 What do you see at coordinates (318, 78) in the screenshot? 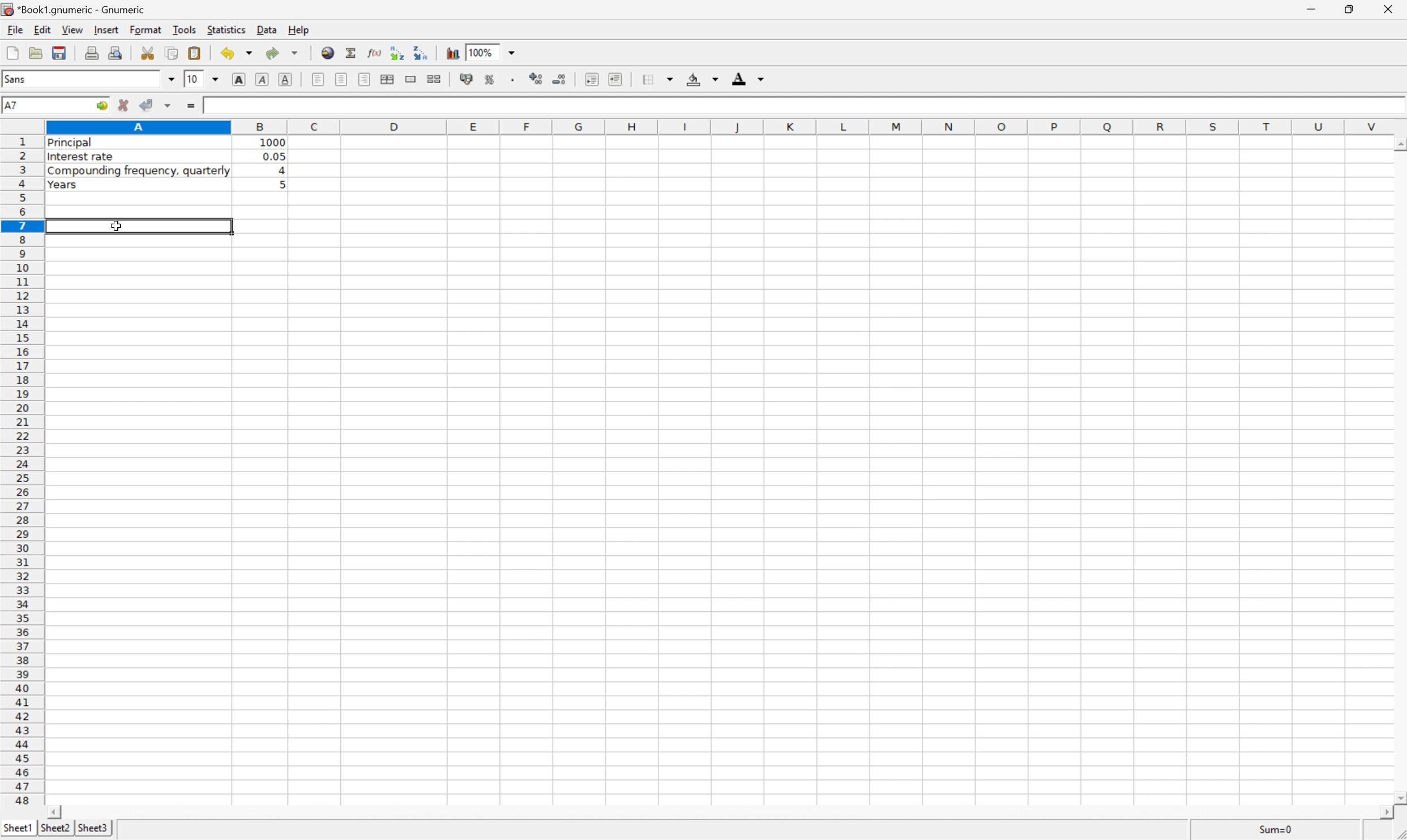
I see `align left` at bounding box center [318, 78].